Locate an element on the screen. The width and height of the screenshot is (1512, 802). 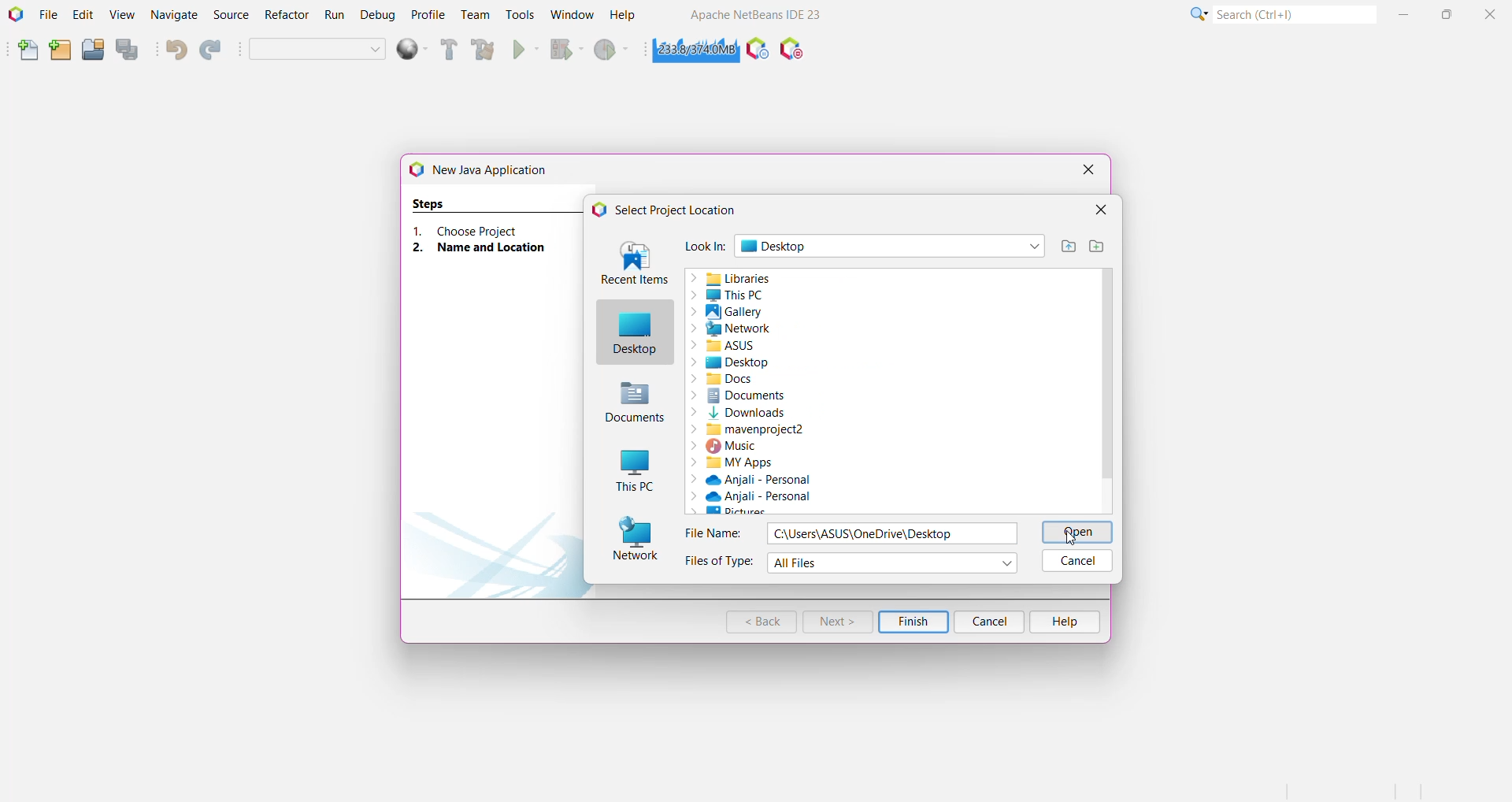
Click to force garbage collection is located at coordinates (692, 50).